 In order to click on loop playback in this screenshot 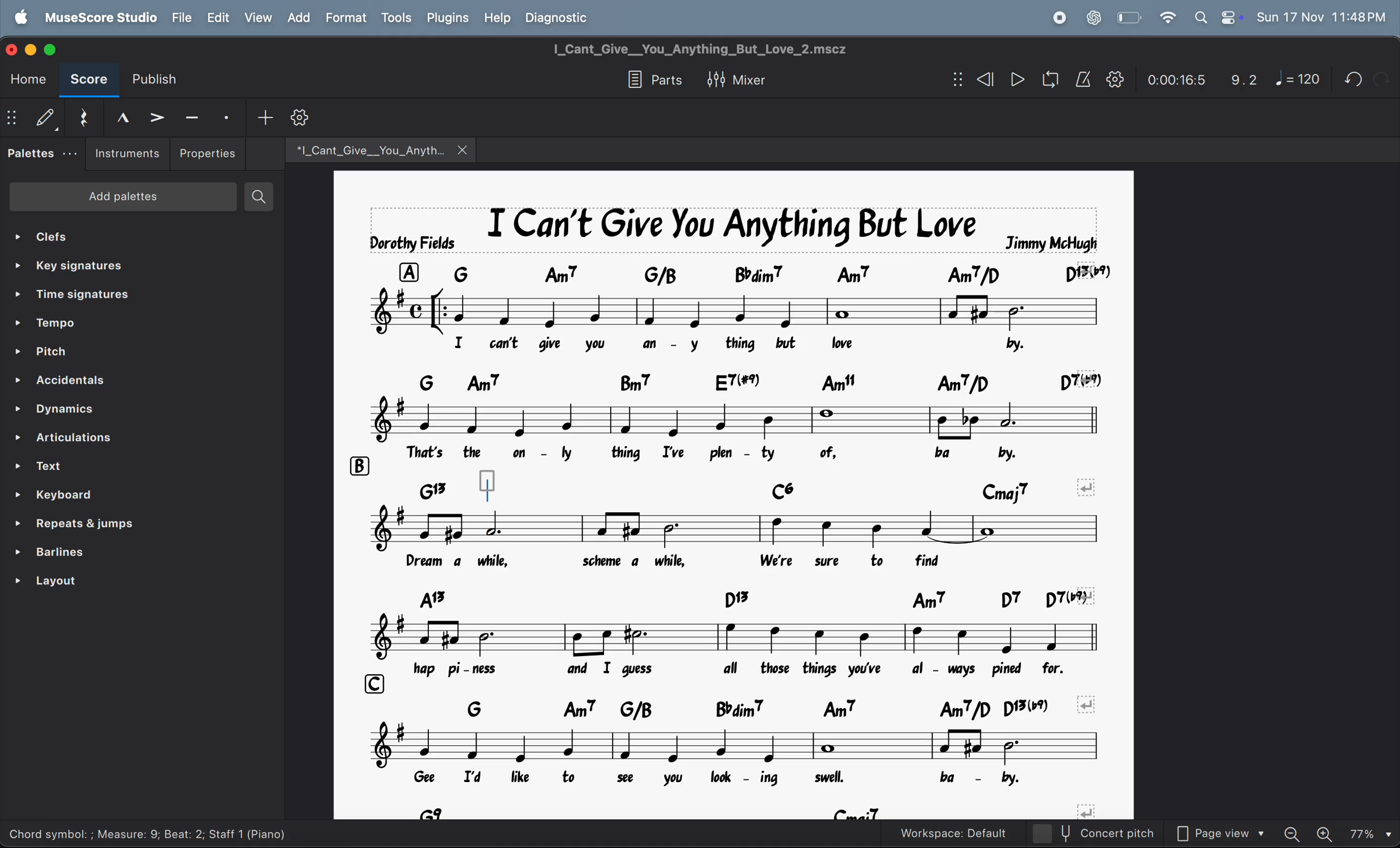, I will do `click(1047, 80)`.